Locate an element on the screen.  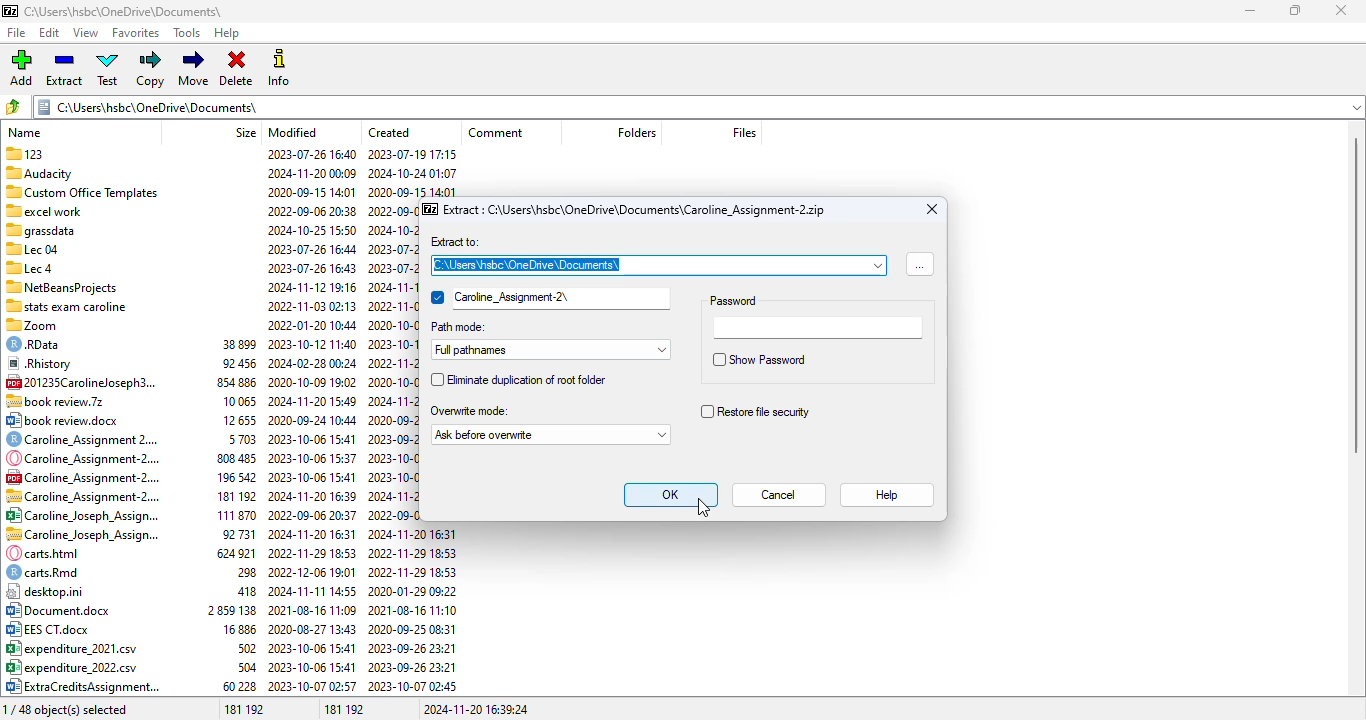
show password is located at coordinates (761, 359).